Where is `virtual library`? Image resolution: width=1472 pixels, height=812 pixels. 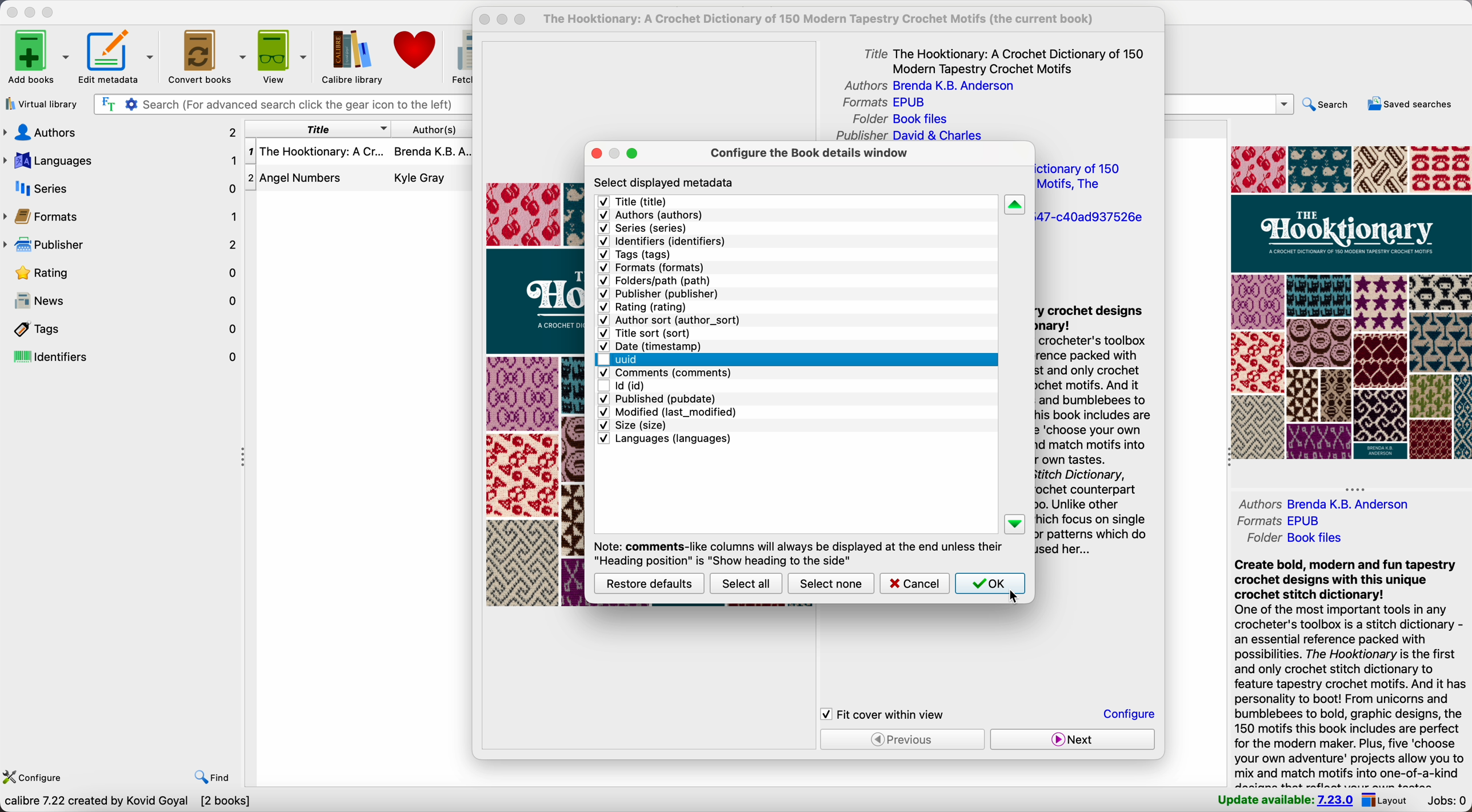
virtual library is located at coordinates (41, 103).